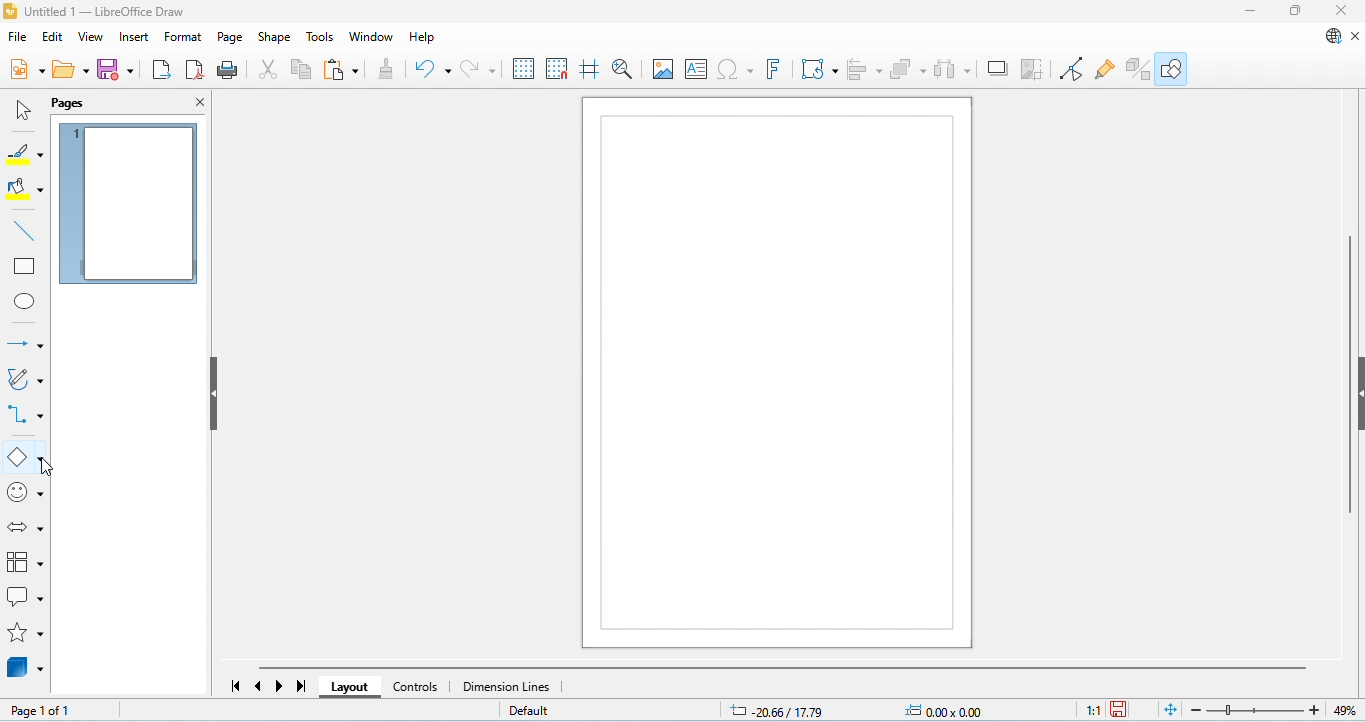 This screenshot has height=722, width=1366. Describe the element at coordinates (135, 38) in the screenshot. I see `insert` at that location.